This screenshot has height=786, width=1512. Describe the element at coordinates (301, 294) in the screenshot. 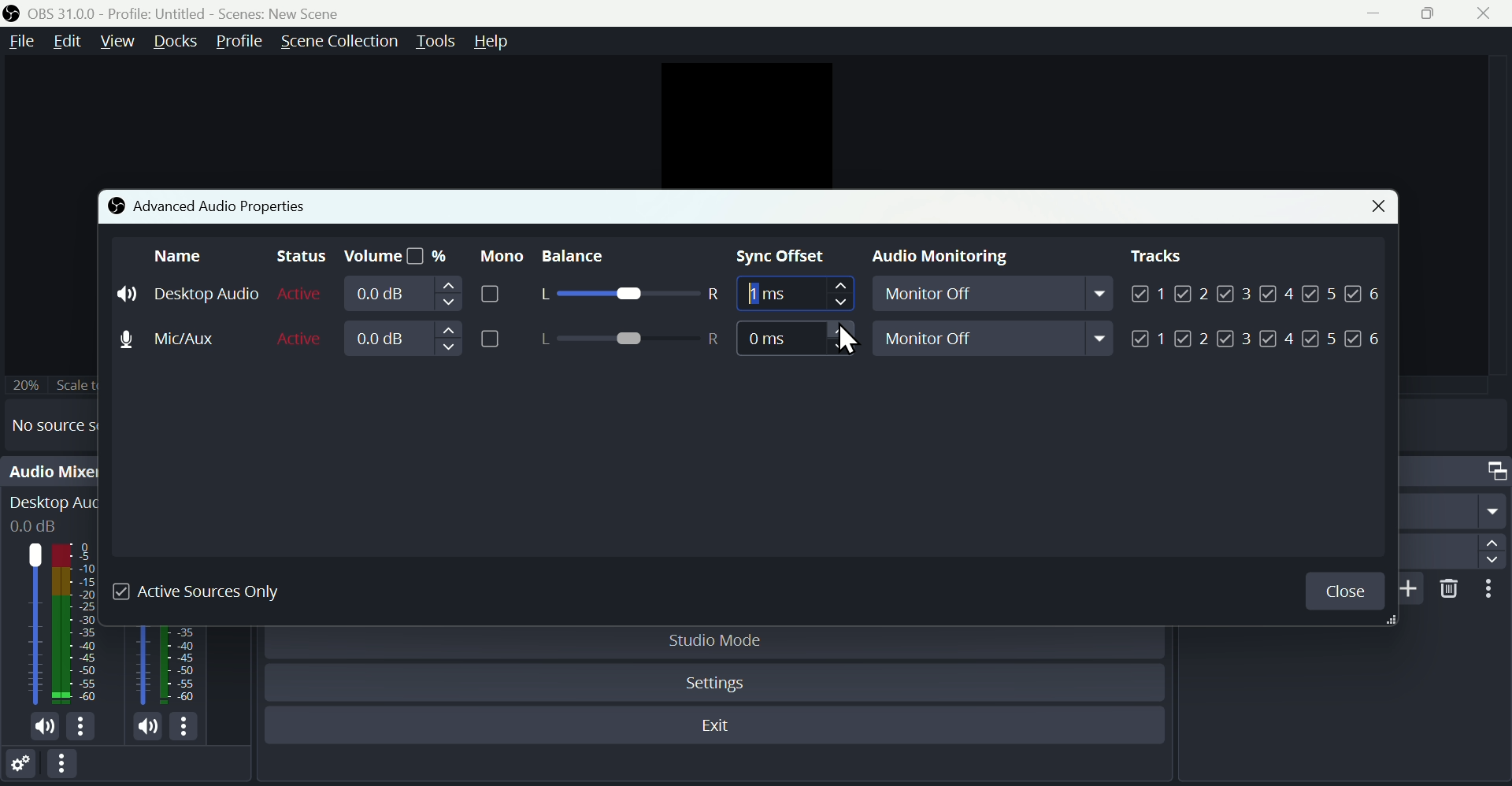

I see `Active` at that location.